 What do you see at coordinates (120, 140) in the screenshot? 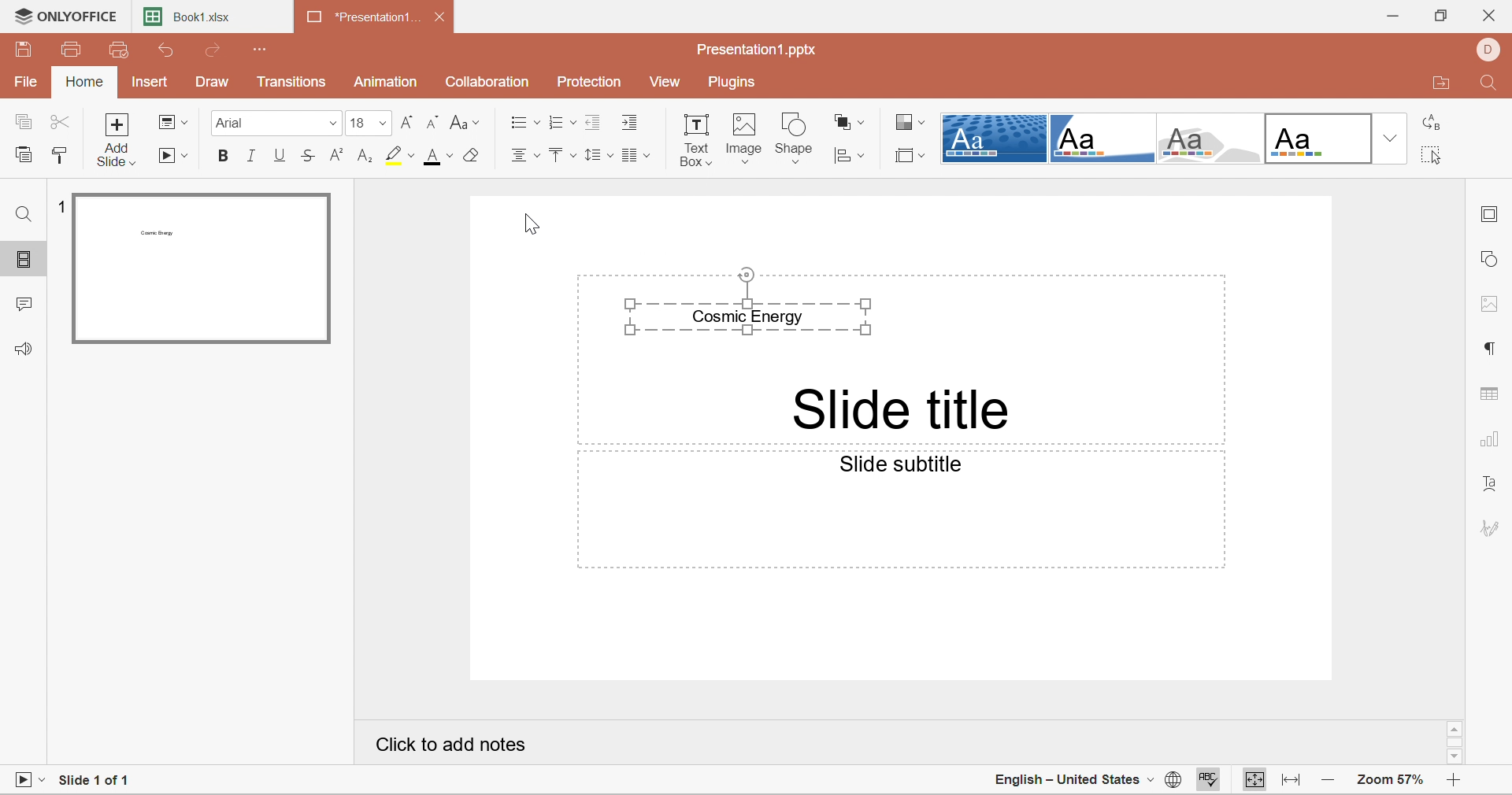
I see `Add slide` at bounding box center [120, 140].